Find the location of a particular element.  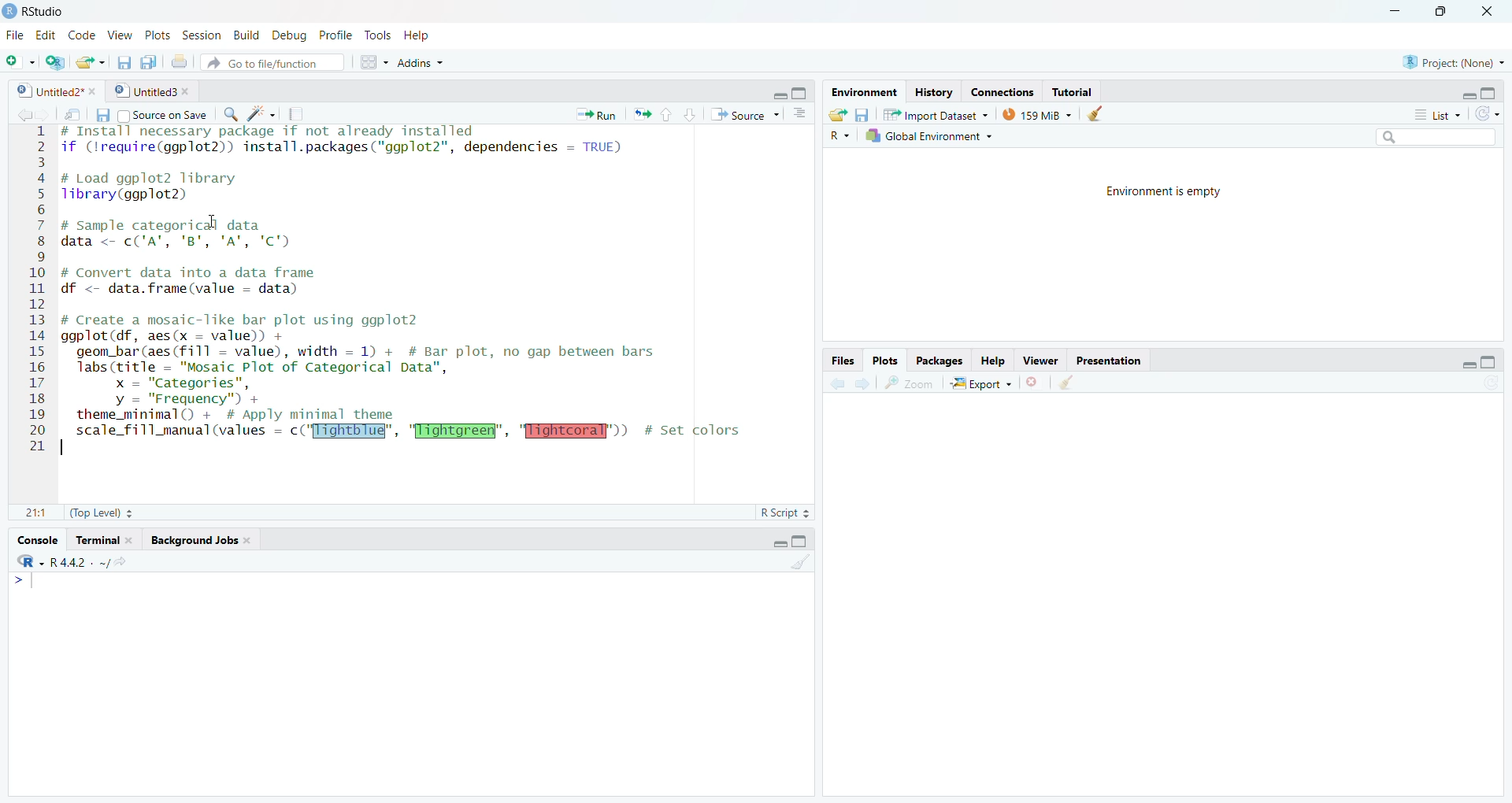

Tutorial is located at coordinates (1070, 92).